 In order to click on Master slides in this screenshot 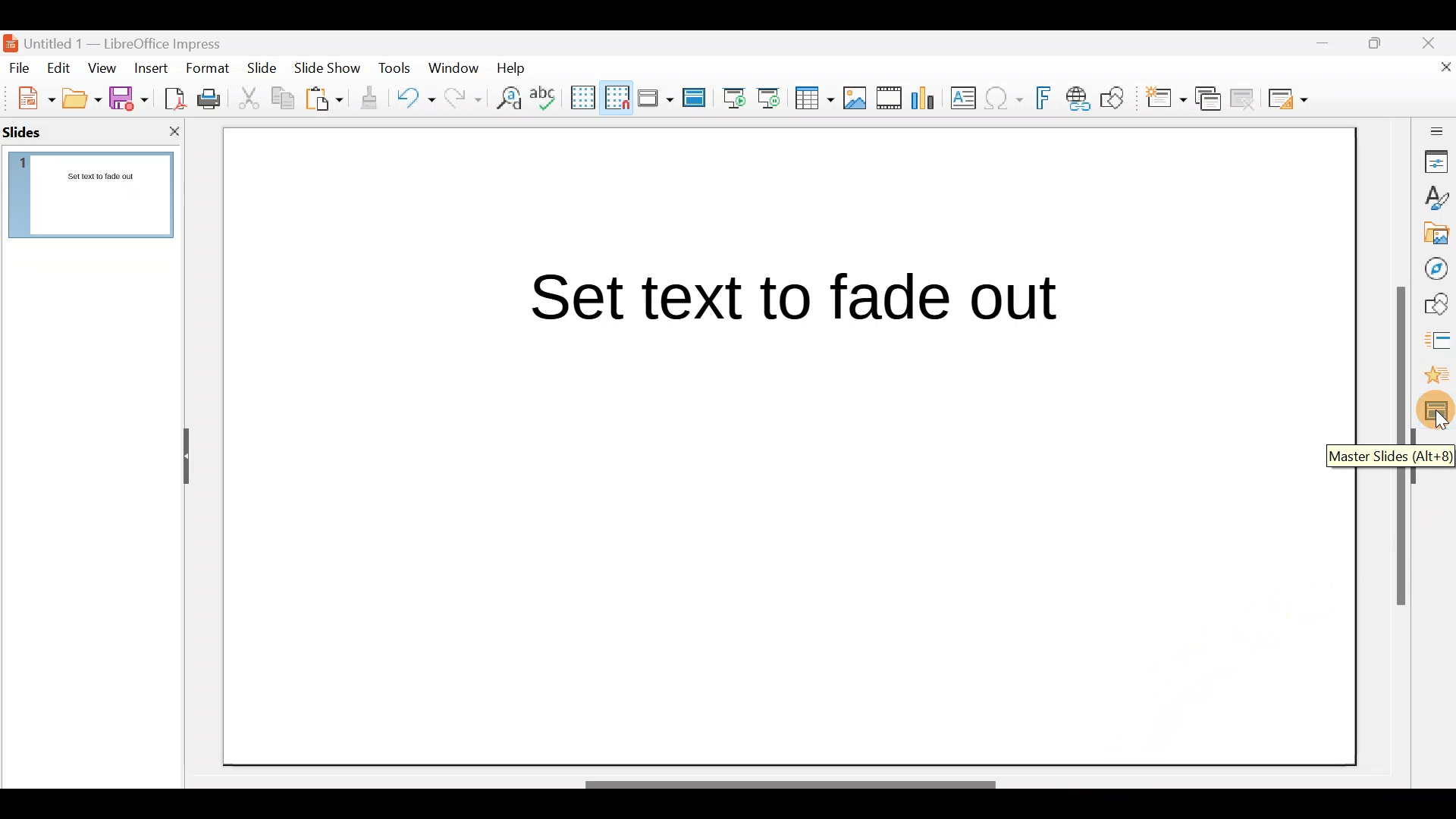, I will do `click(1437, 416)`.